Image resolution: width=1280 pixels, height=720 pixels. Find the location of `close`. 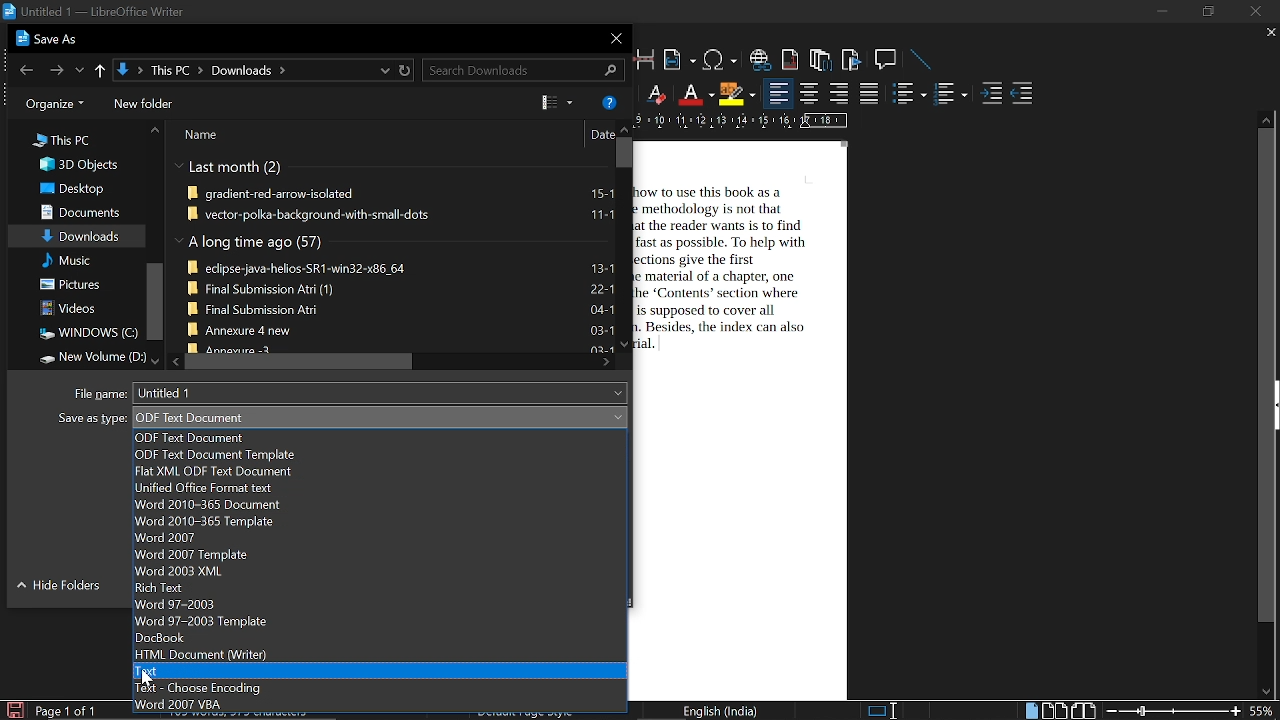

close is located at coordinates (613, 38).